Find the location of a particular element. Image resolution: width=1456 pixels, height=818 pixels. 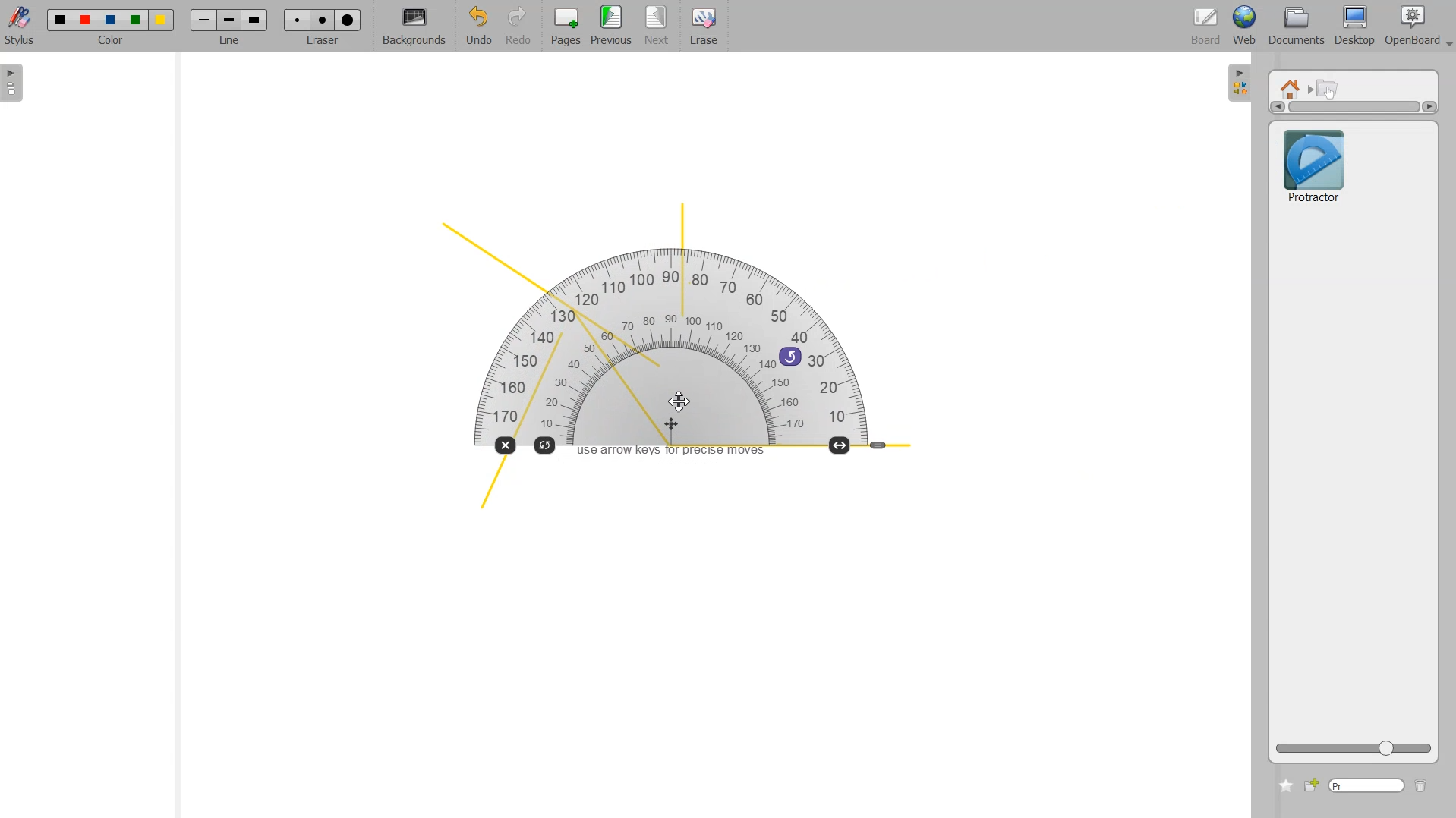

Next is located at coordinates (658, 27).